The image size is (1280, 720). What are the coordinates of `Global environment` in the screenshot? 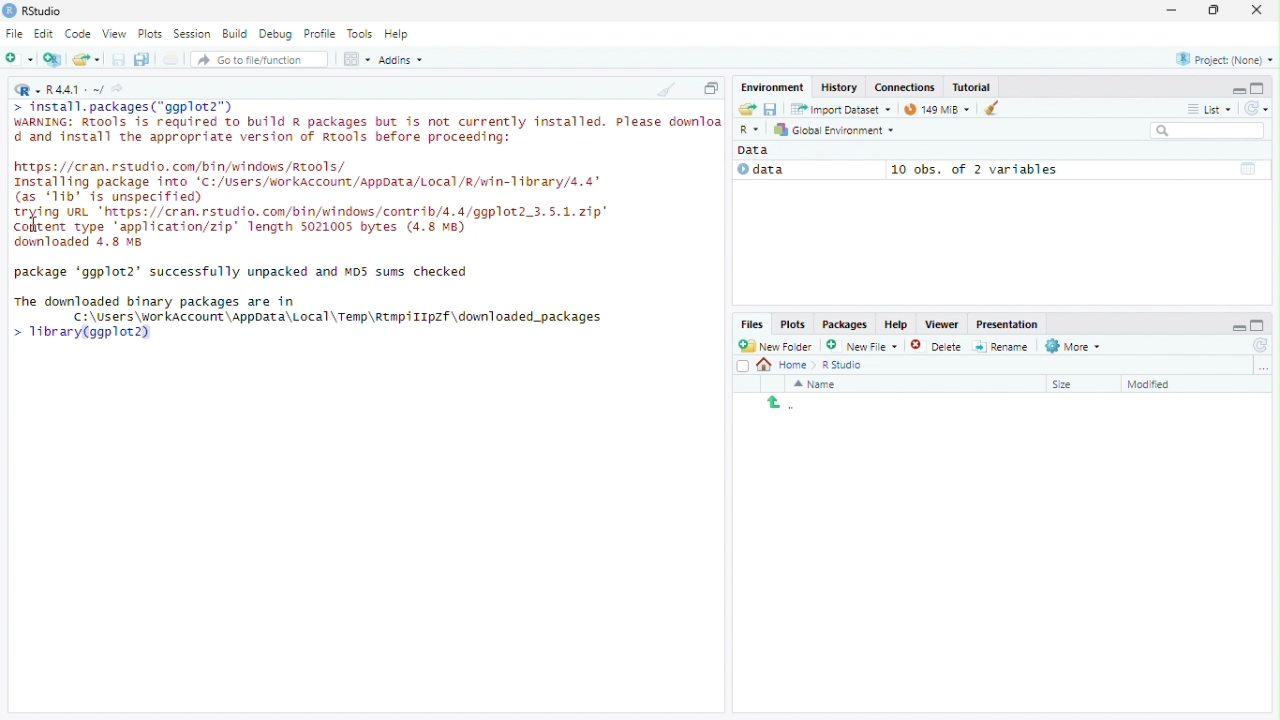 It's located at (835, 130).